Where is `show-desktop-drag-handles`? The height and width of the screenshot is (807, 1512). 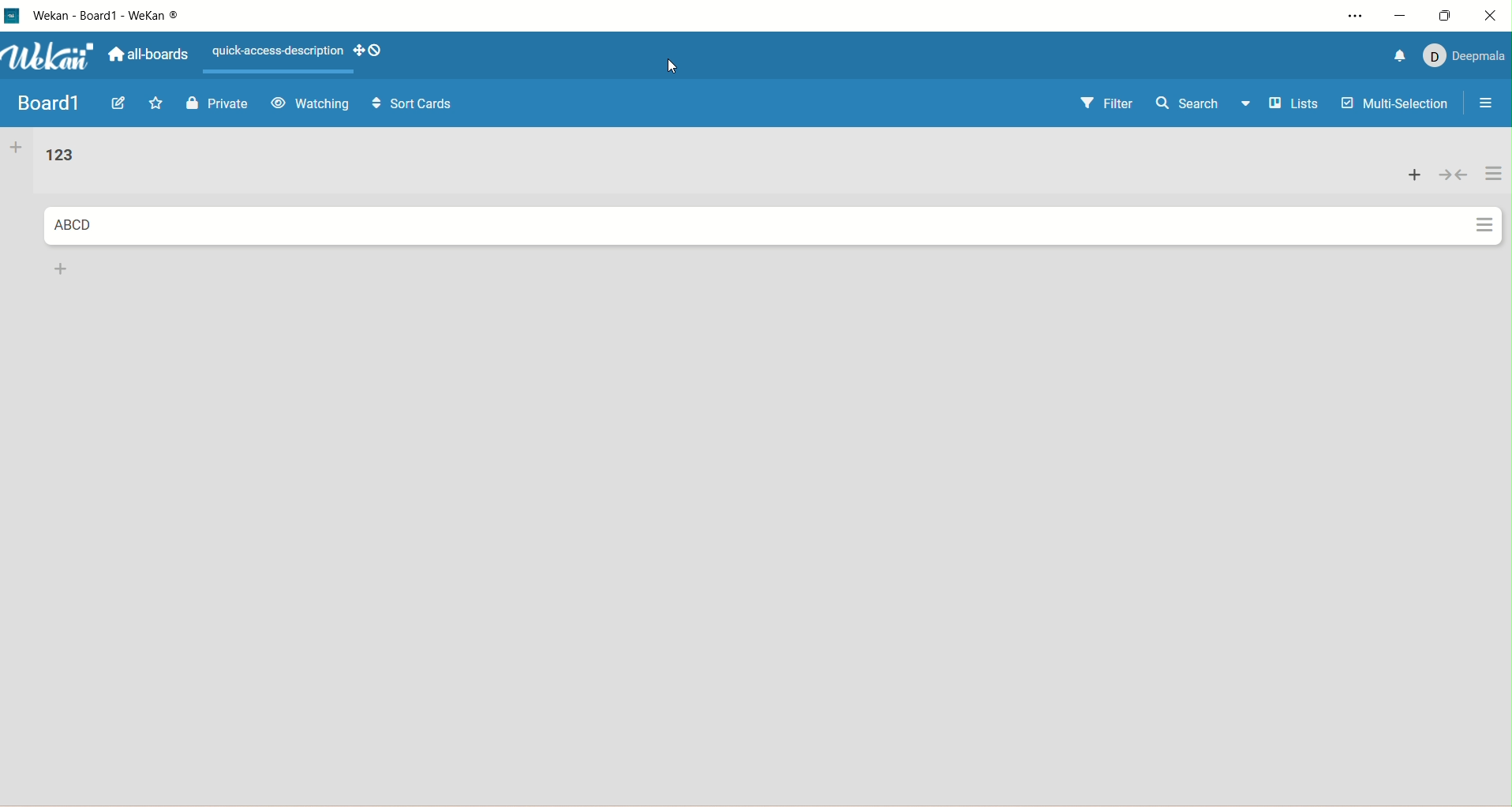 show-desktop-drag-handles is located at coordinates (367, 52).